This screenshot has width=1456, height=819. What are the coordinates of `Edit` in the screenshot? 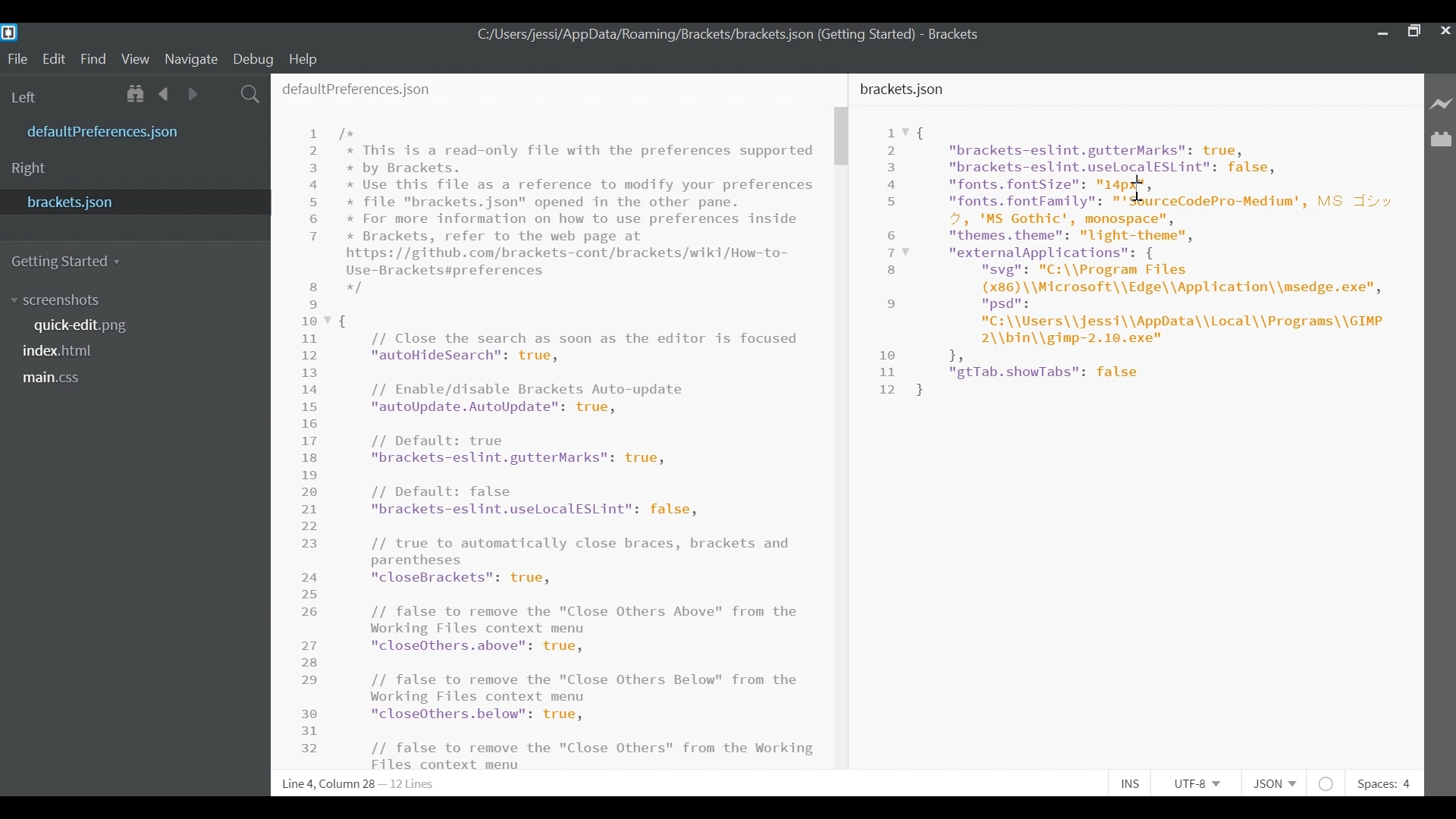 It's located at (52, 58).